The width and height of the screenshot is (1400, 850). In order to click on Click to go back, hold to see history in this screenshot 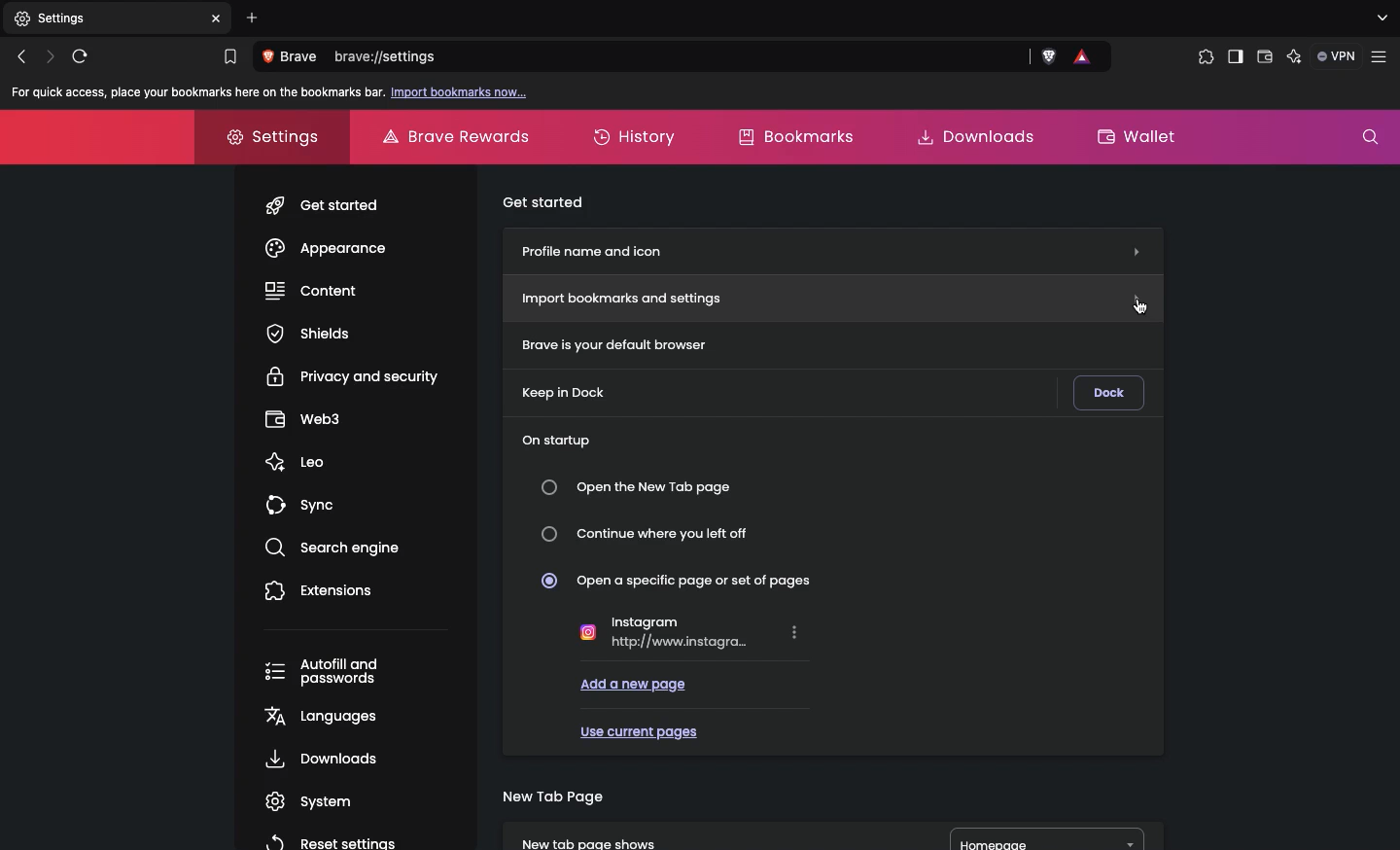, I will do `click(20, 57)`.